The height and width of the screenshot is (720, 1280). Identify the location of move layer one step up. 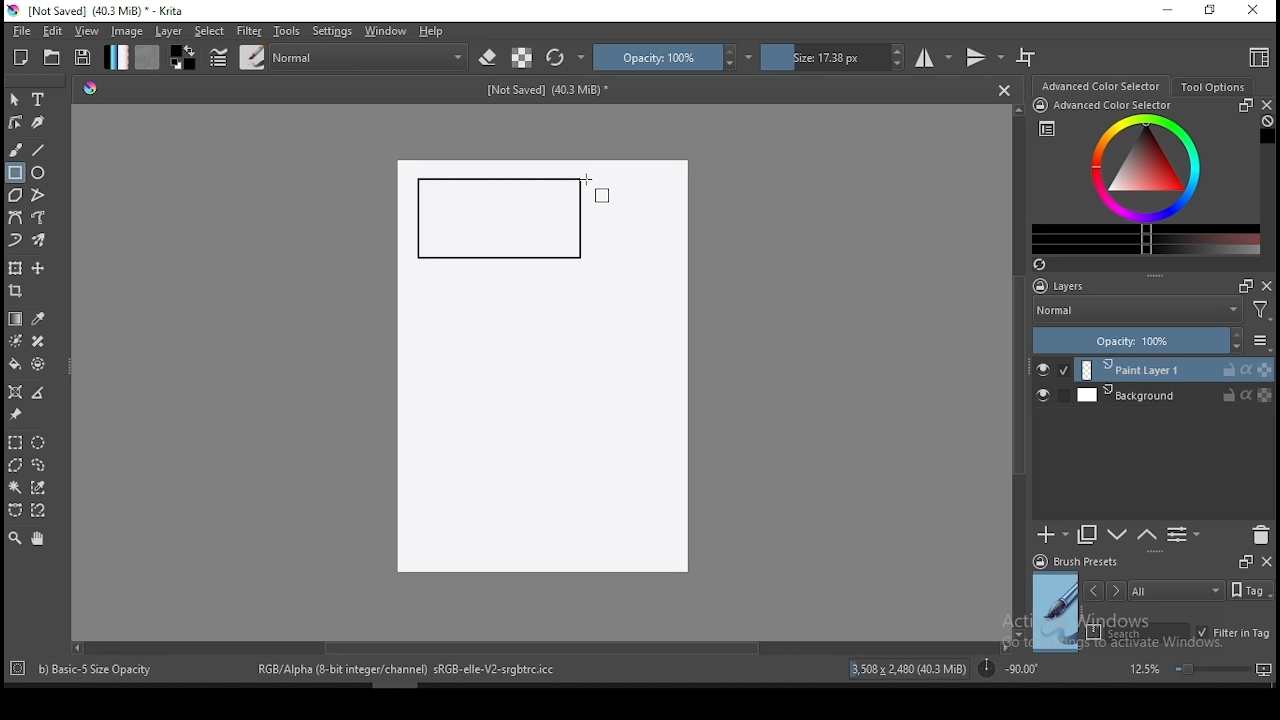
(1118, 537).